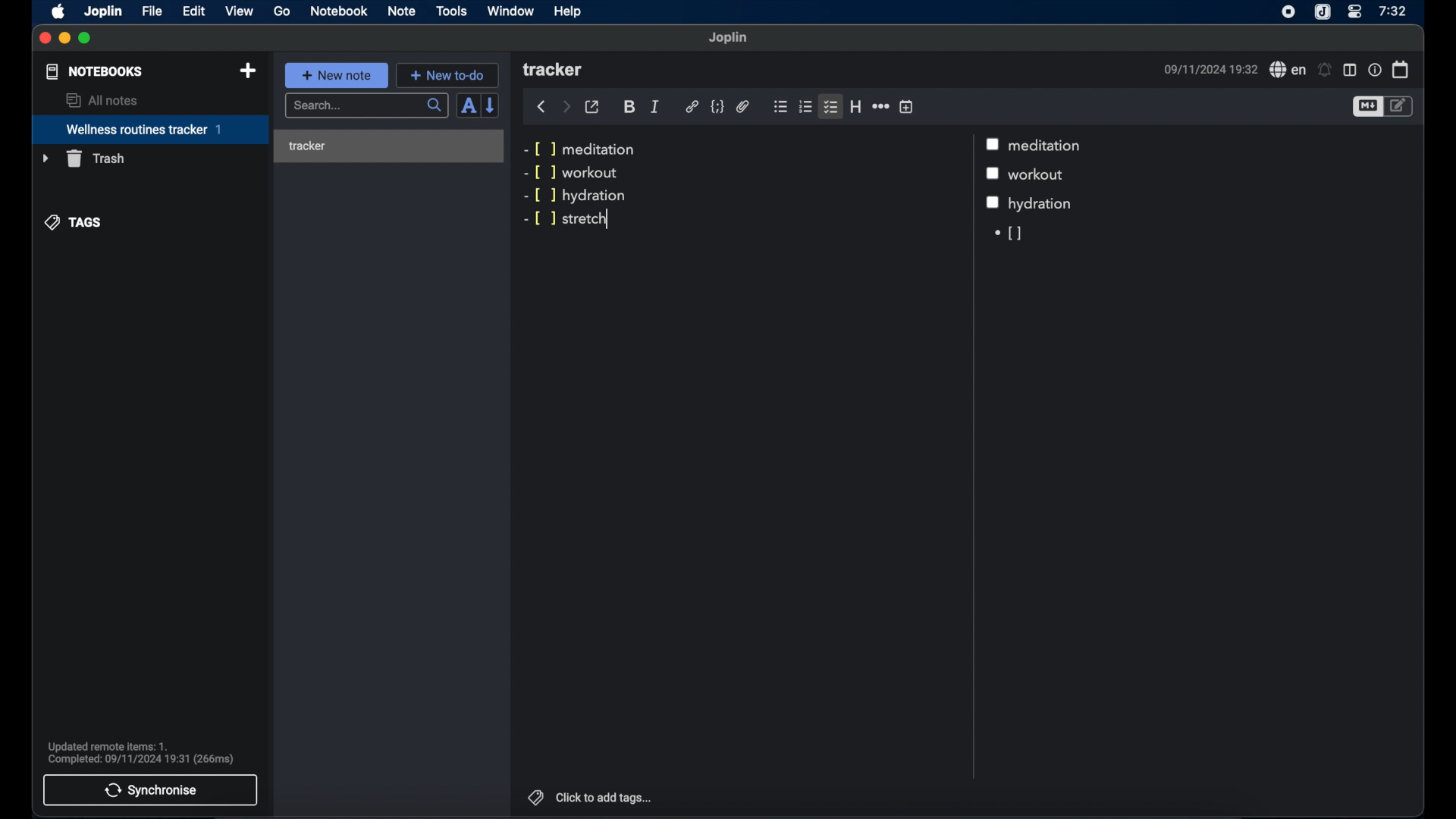 The width and height of the screenshot is (1456, 819). I want to click on -[ ] hydration, so click(576, 196).